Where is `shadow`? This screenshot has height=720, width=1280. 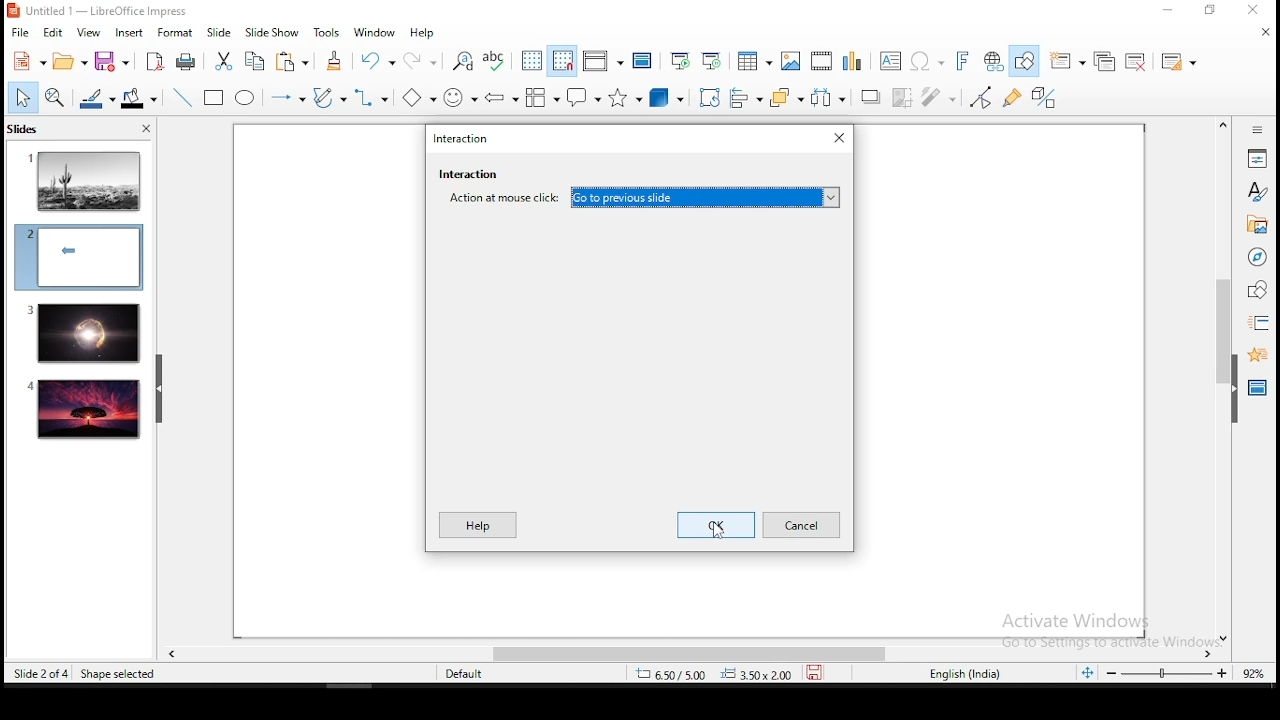
shadow is located at coordinates (870, 95).